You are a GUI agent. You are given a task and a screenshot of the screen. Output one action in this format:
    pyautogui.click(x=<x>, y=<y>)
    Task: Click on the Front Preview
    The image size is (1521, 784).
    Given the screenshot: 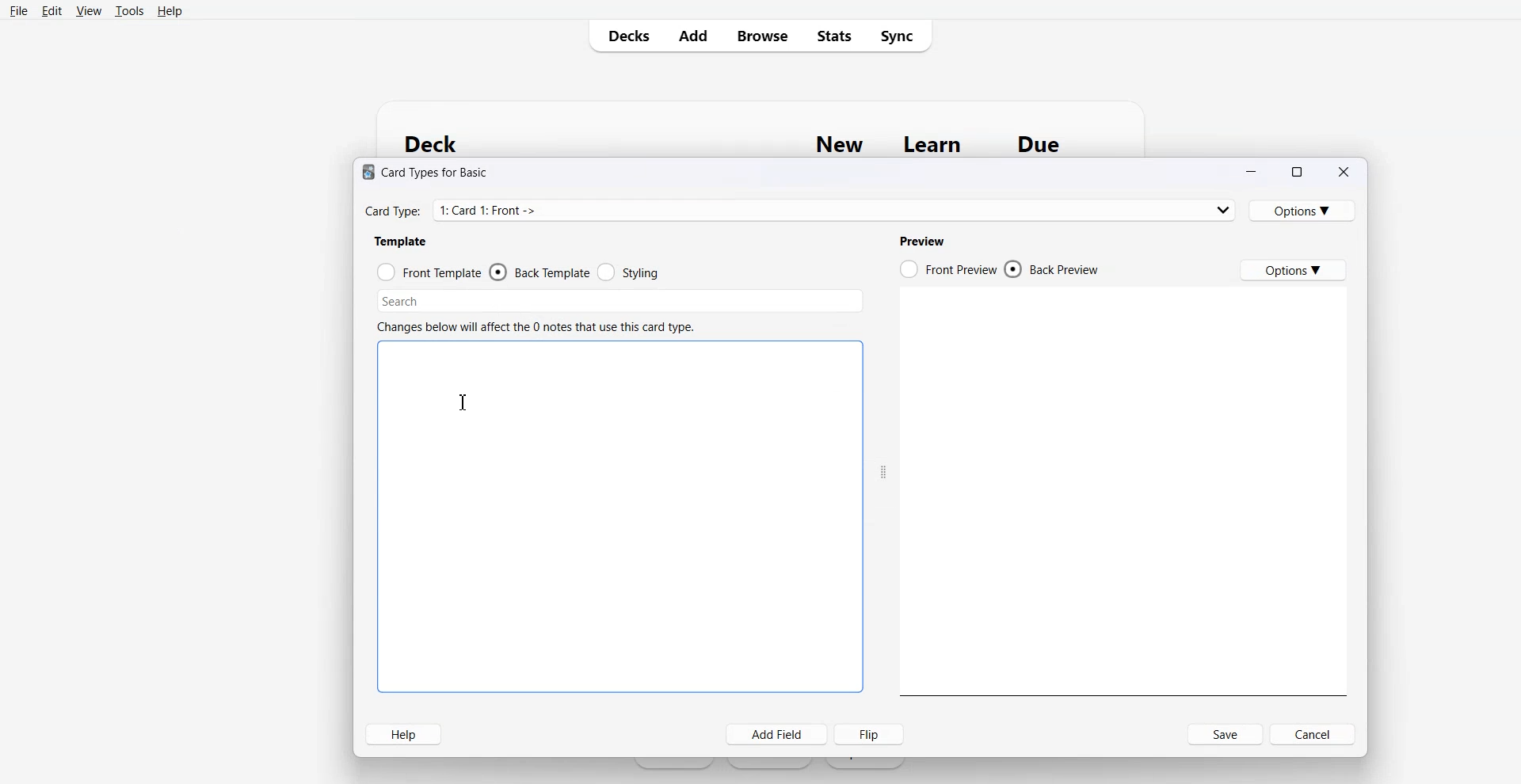 What is the action you would take?
    pyautogui.click(x=949, y=266)
    